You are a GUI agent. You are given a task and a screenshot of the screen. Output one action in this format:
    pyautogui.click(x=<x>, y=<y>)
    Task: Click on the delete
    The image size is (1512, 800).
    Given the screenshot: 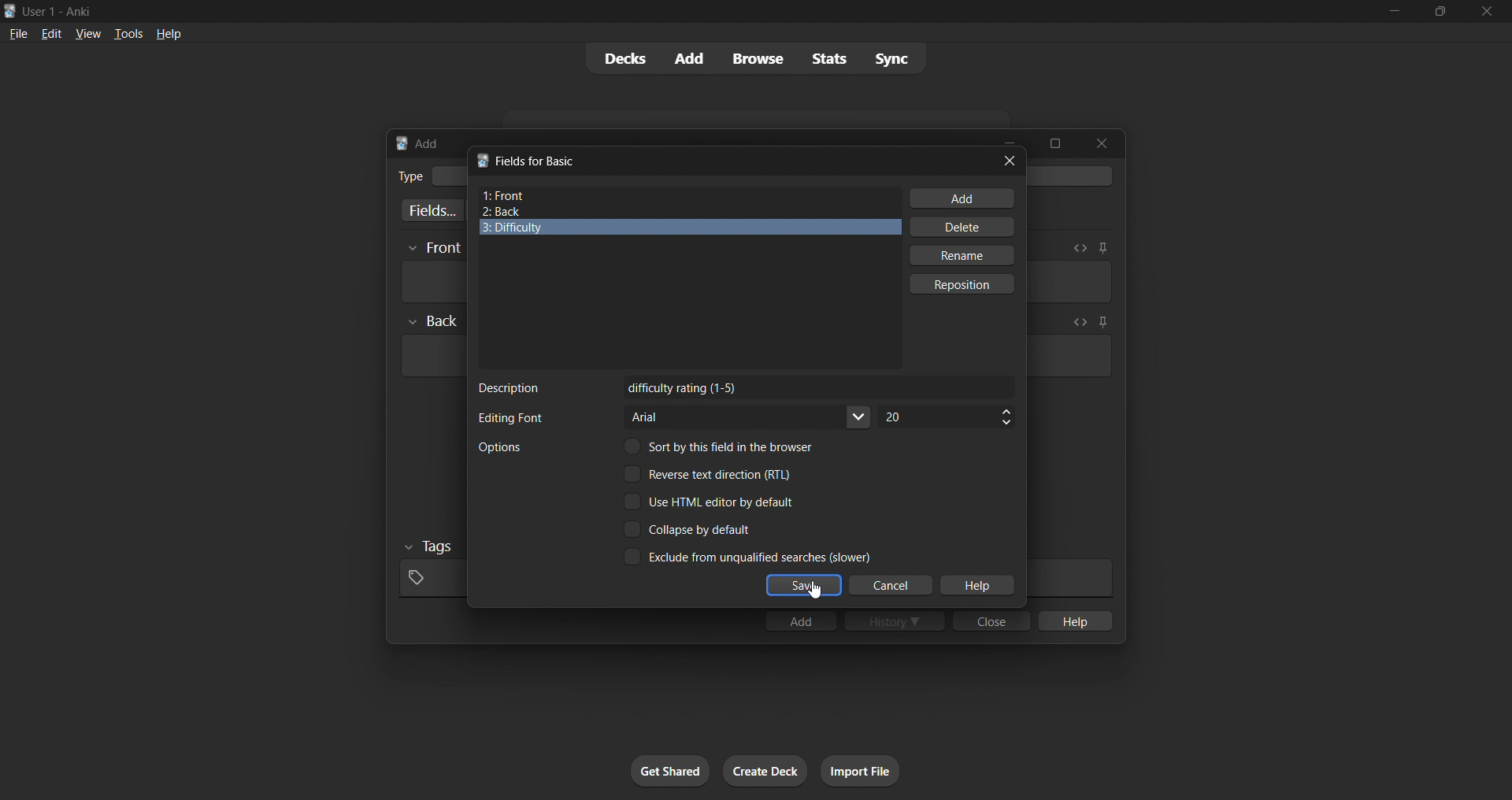 What is the action you would take?
    pyautogui.click(x=964, y=227)
    